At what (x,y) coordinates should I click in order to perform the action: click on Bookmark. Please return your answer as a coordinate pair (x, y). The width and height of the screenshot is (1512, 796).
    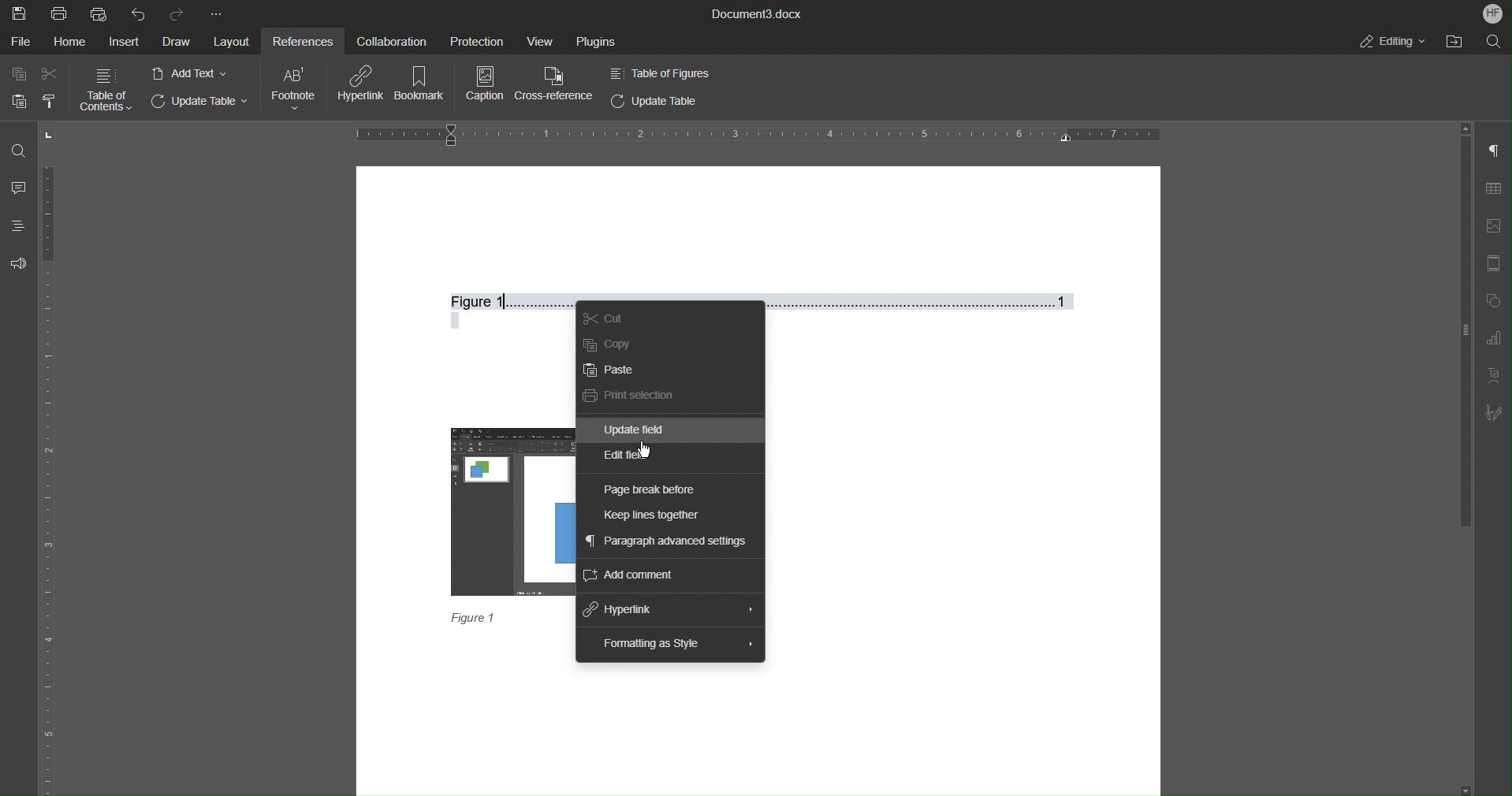
    Looking at the image, I should click on (423, 85).